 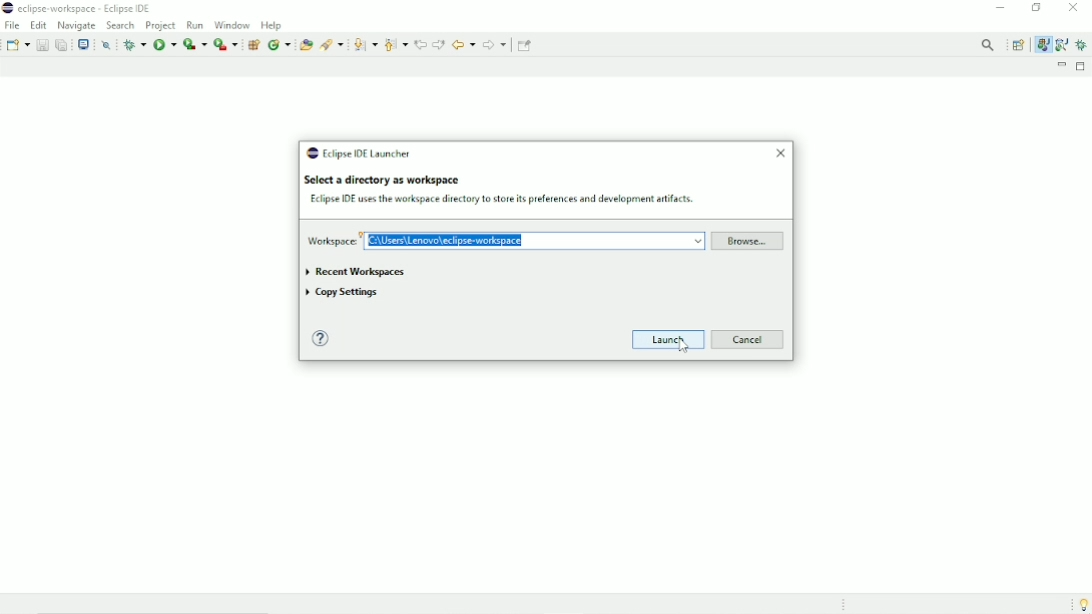 I want to click on Window, so click(x=231, y=25).